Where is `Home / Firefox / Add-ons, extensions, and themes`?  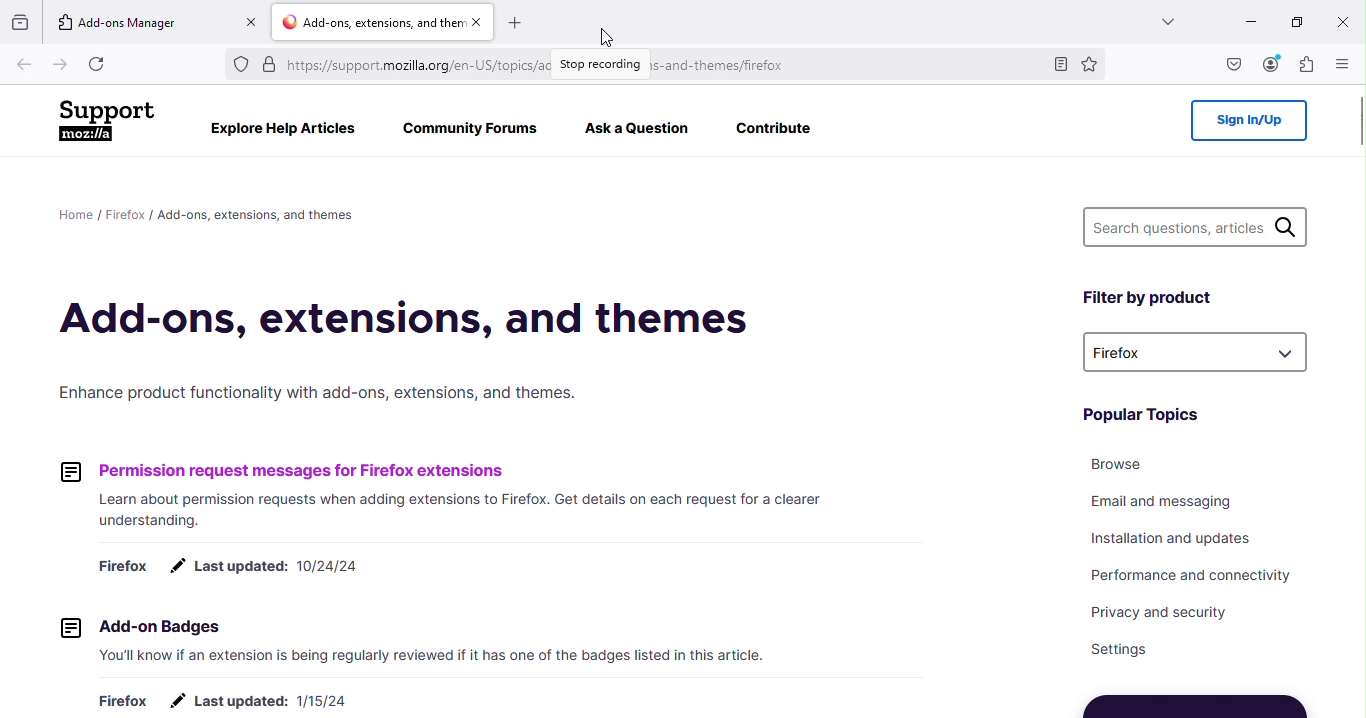 Home / Firefox / Add-ons, extensions, and themes is located at coordinates (199, 215).